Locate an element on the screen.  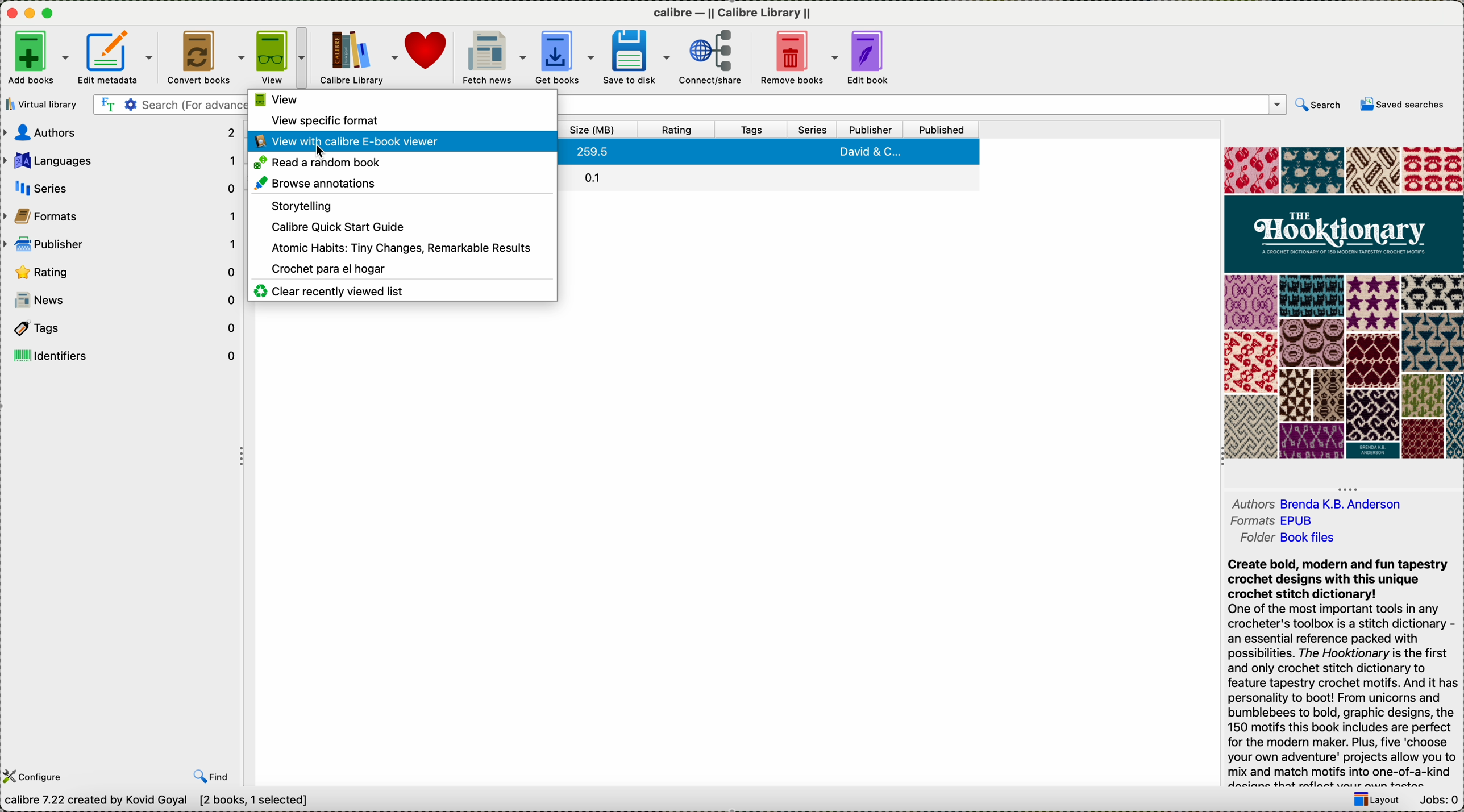
search is located at coordinates (1319, 105).